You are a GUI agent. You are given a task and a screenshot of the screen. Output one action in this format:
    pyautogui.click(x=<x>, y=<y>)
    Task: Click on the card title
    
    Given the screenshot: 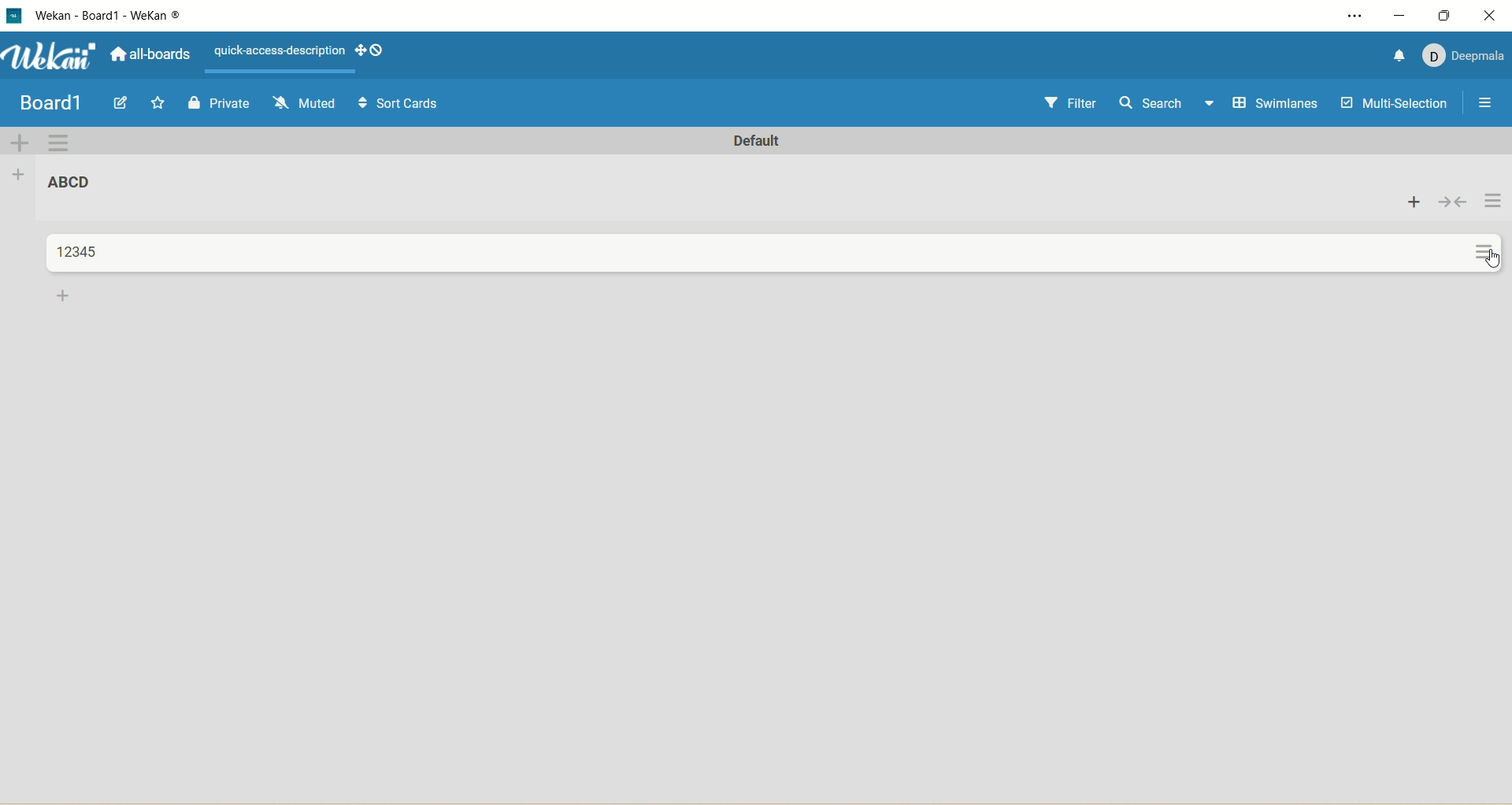 What is the action you would take?
    pyautogui.click(x=80, y=252)
    